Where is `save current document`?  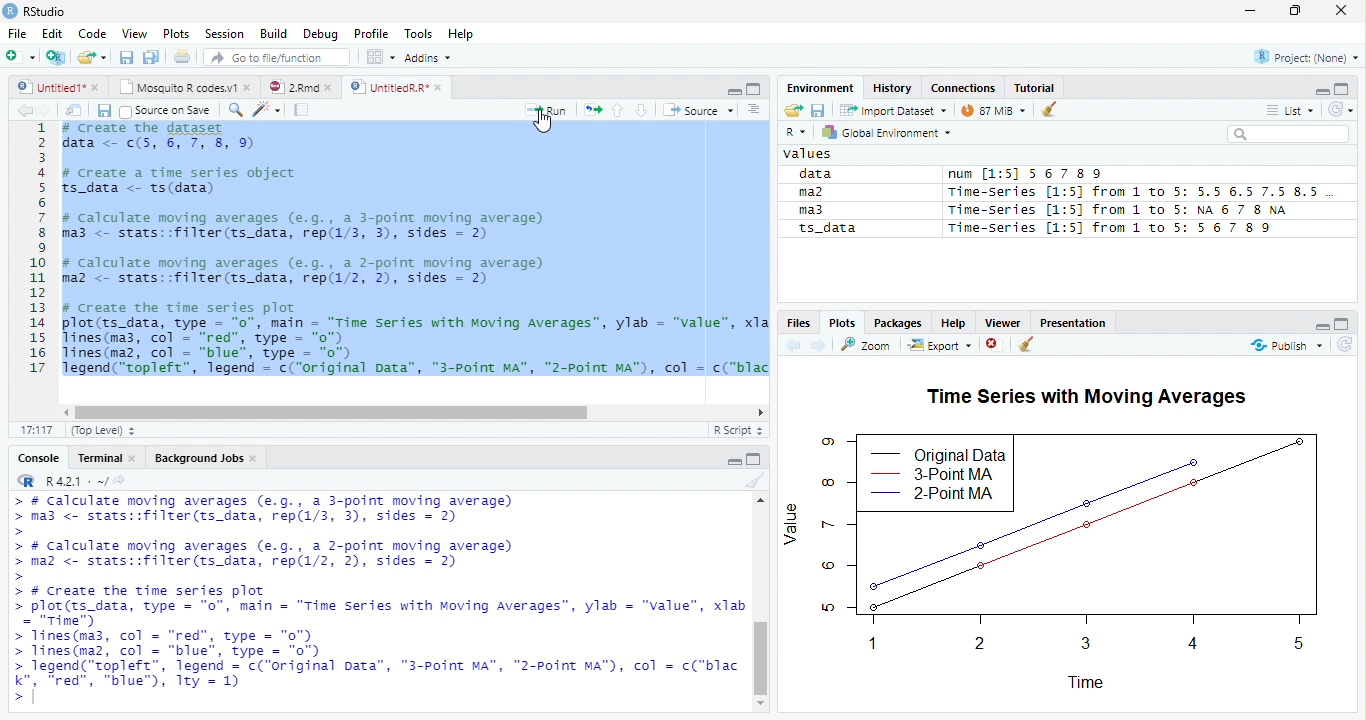 save current document is located at coordinates (819, 111).